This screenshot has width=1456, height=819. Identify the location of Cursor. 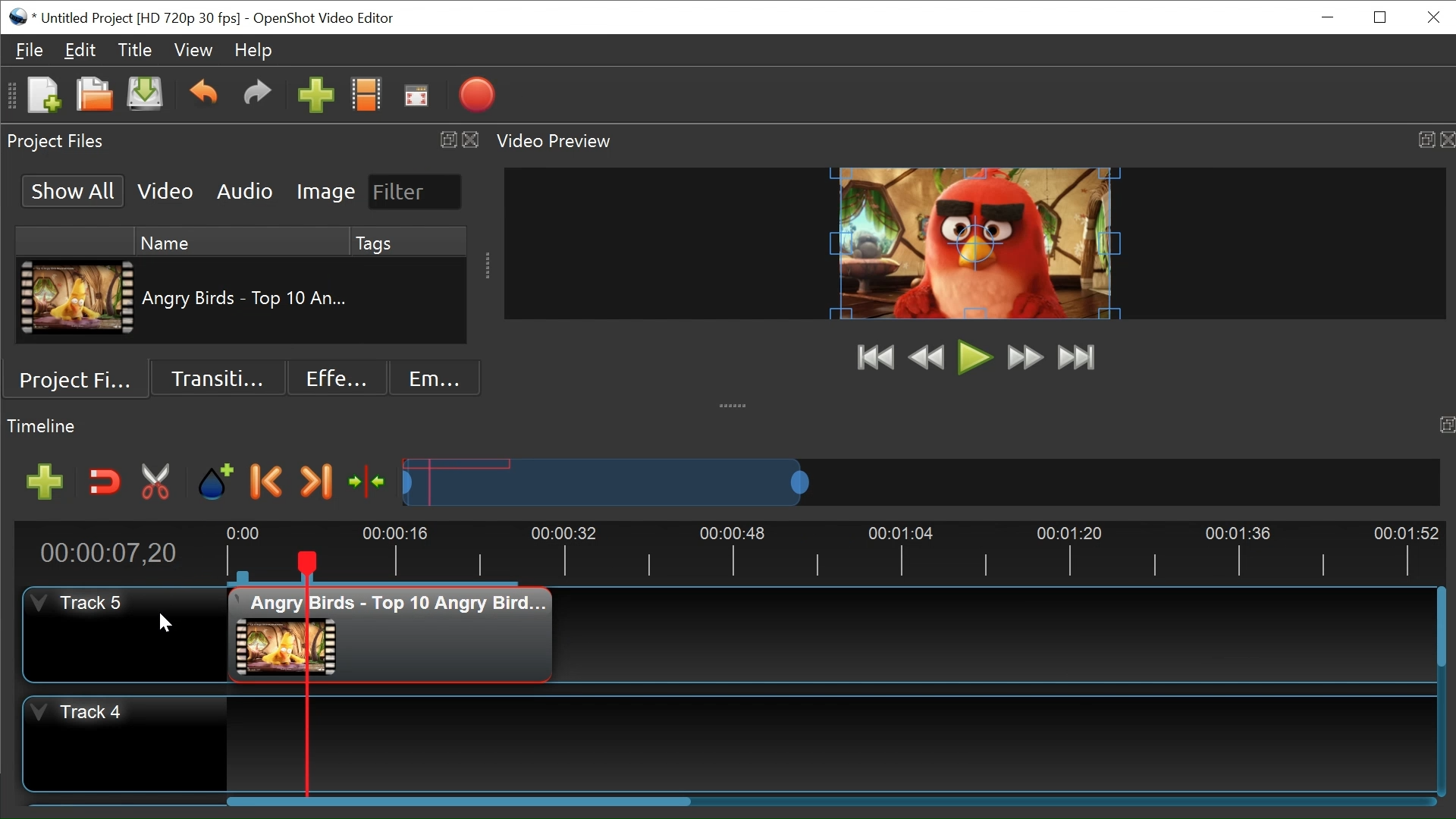
(166, 625).